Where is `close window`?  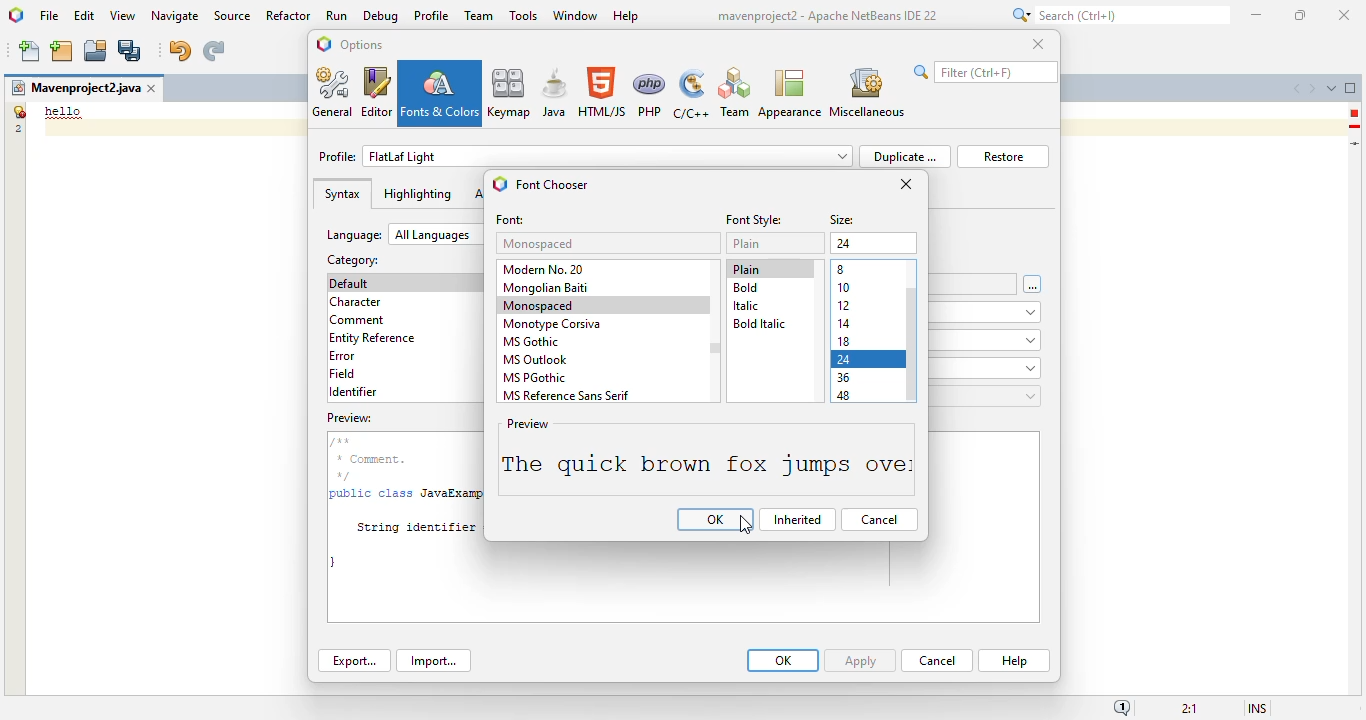
close window is located at coordinates (153, 88).